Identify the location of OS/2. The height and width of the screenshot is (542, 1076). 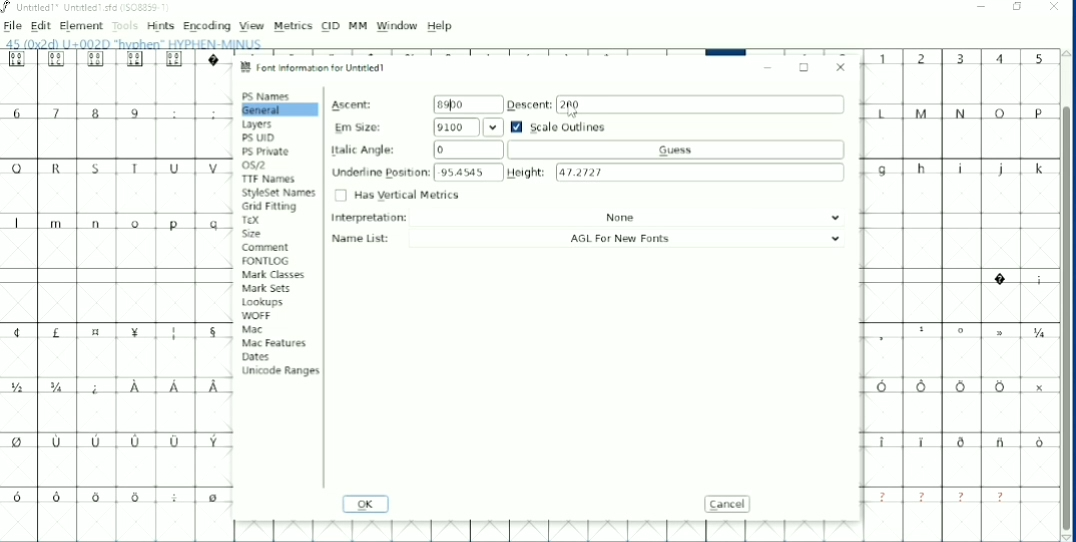
(256, 166).